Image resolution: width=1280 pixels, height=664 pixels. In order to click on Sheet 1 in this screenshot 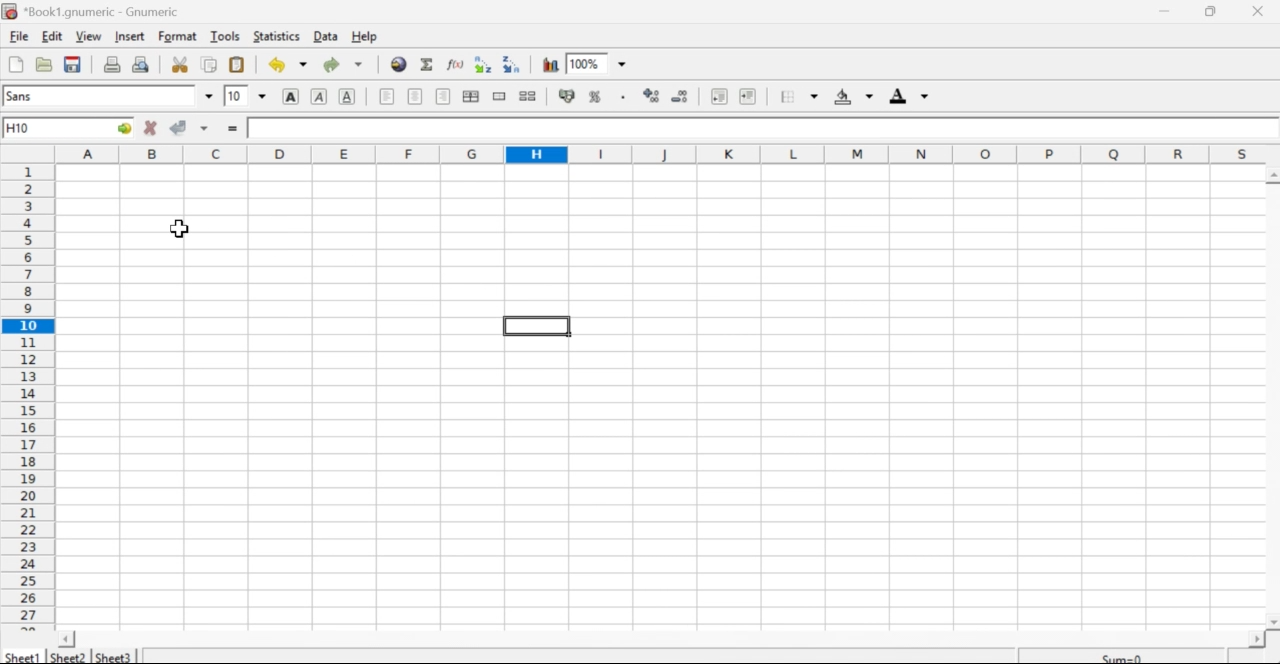, I will do `click(24, 656)`.